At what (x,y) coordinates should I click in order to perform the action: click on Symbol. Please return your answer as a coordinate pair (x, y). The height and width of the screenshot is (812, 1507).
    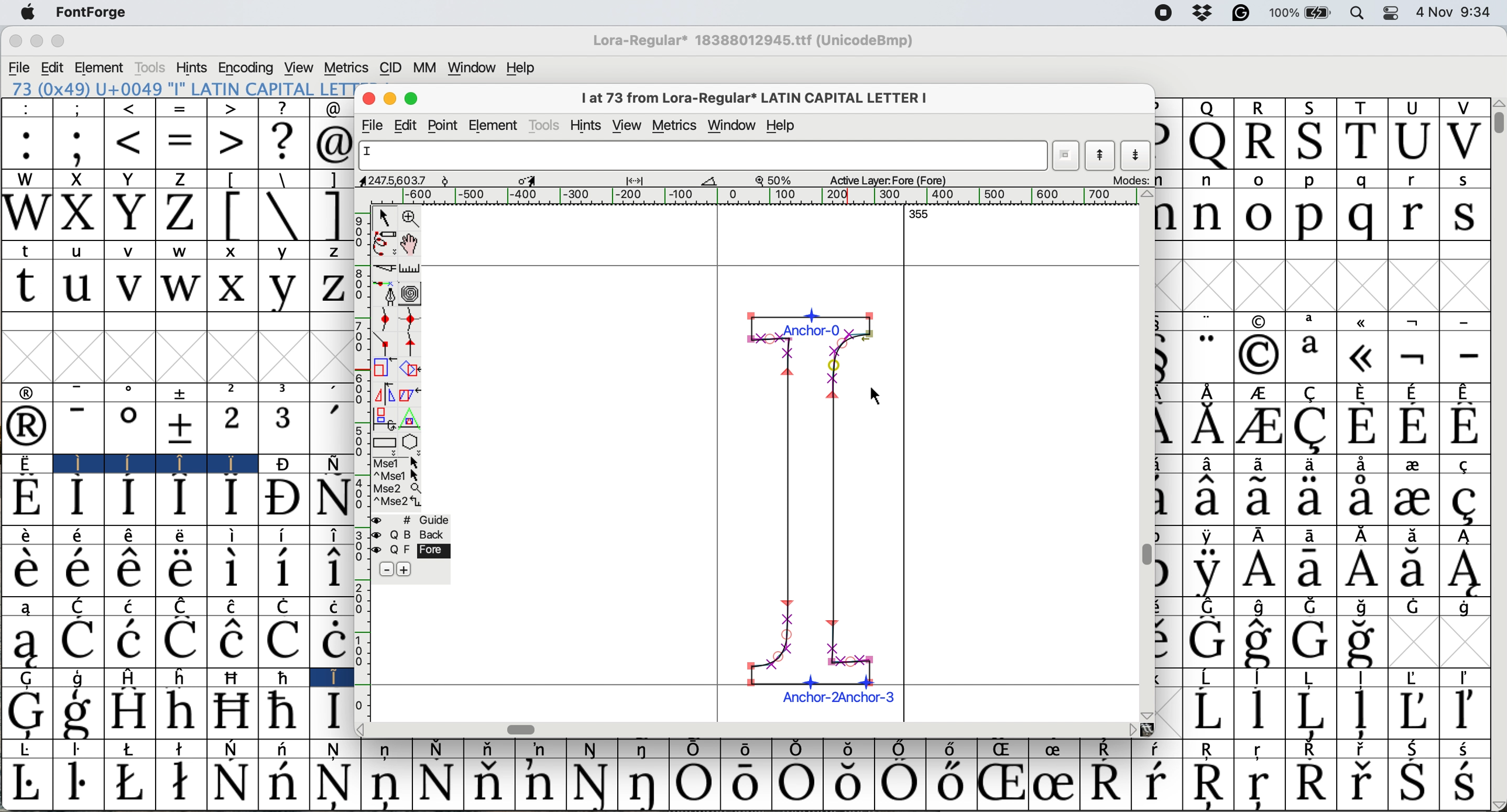
    Looking at the image, I should click on (1364, 749).